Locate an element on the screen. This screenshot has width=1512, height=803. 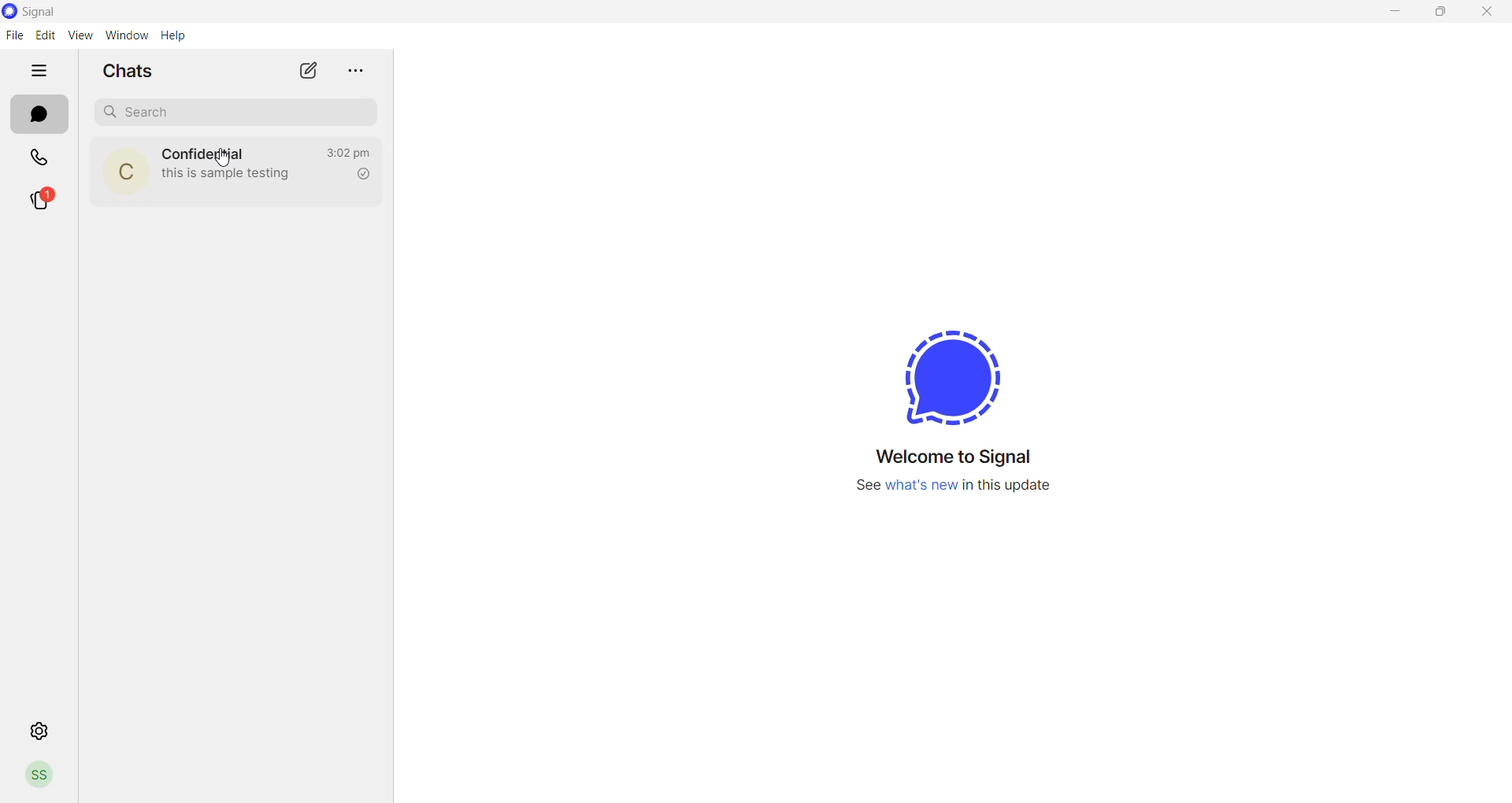
last active message is located at coordinates (346, 154).